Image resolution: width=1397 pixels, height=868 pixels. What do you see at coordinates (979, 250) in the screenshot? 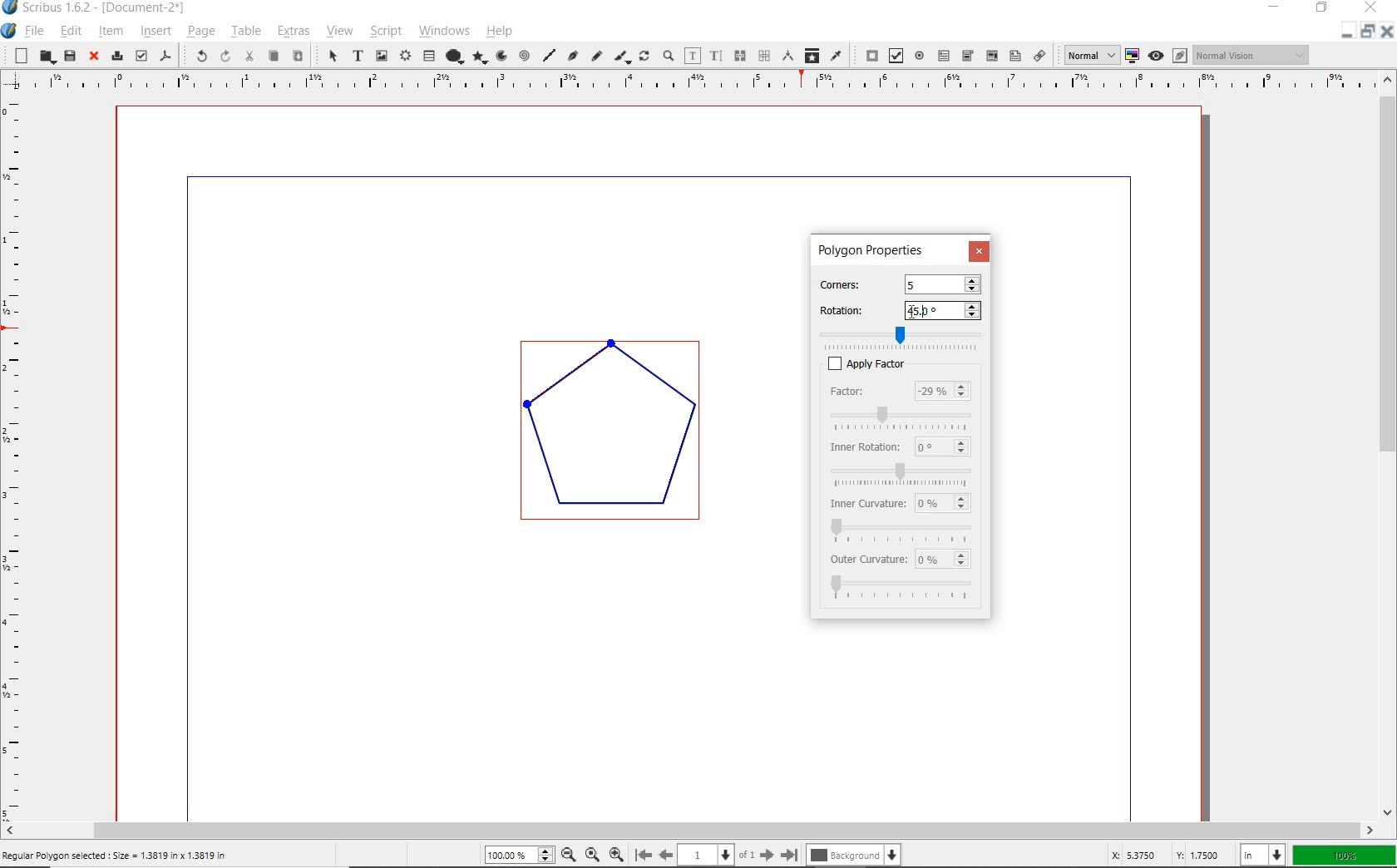
I see `CLOSE` at bounding box center [979, 250].